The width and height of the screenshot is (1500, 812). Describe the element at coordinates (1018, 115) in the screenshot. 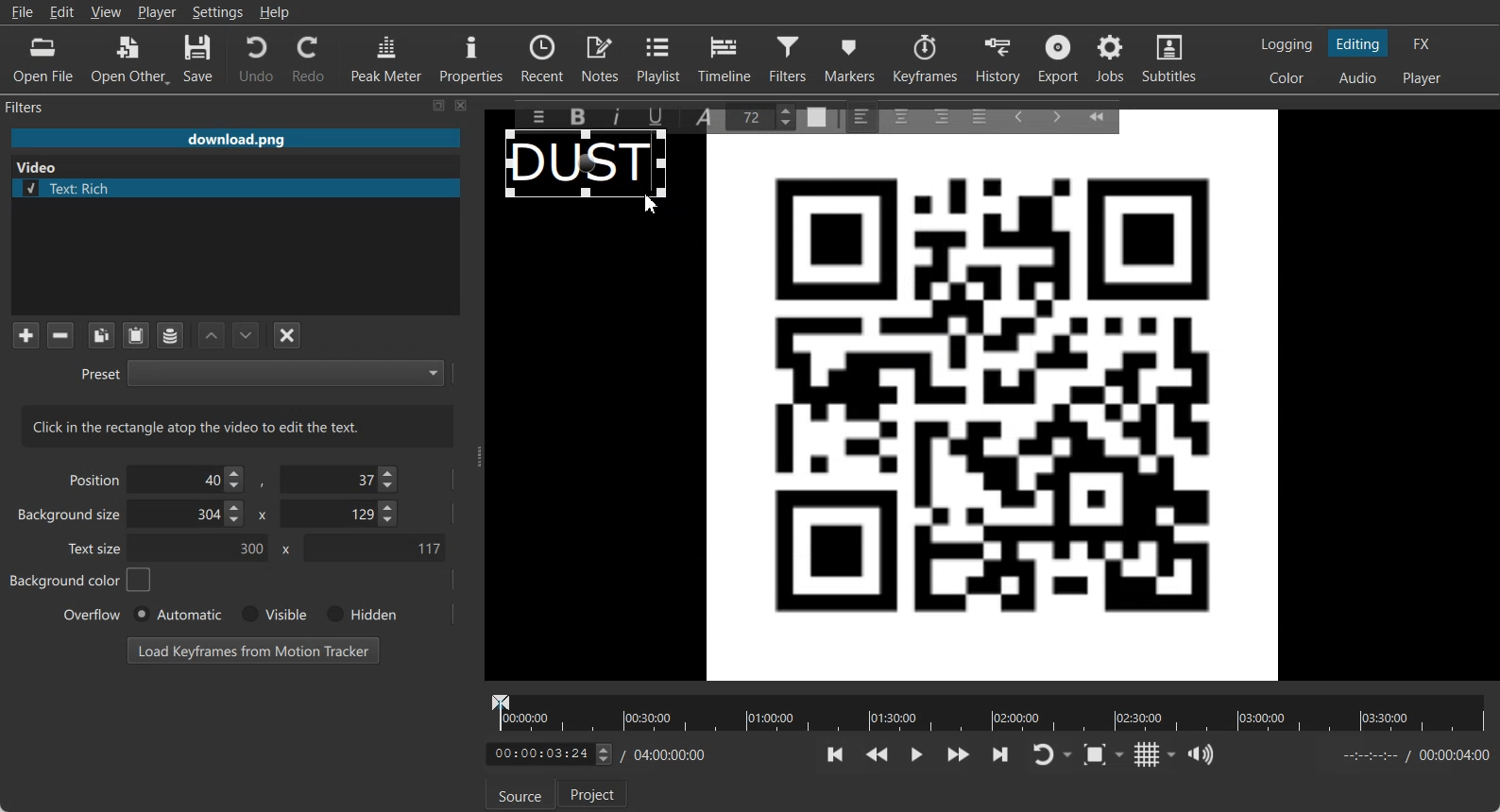

I see `Decrease Indent` at that location.